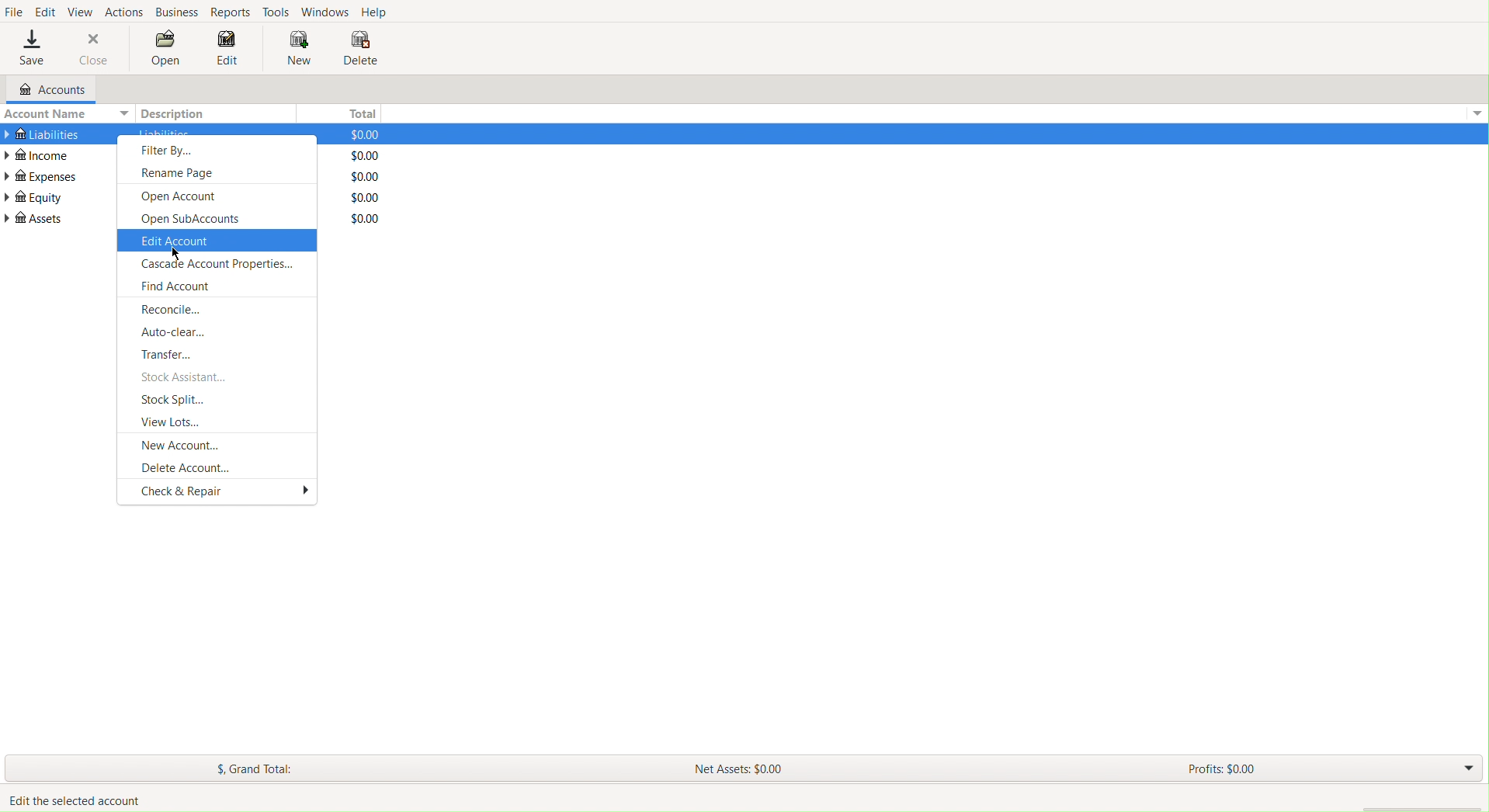 This screenshot has width=1489, height=812. What do you see at coordinates (183, 444) in the screenshot?
I see `New Account` at bounding box center [183, 444].